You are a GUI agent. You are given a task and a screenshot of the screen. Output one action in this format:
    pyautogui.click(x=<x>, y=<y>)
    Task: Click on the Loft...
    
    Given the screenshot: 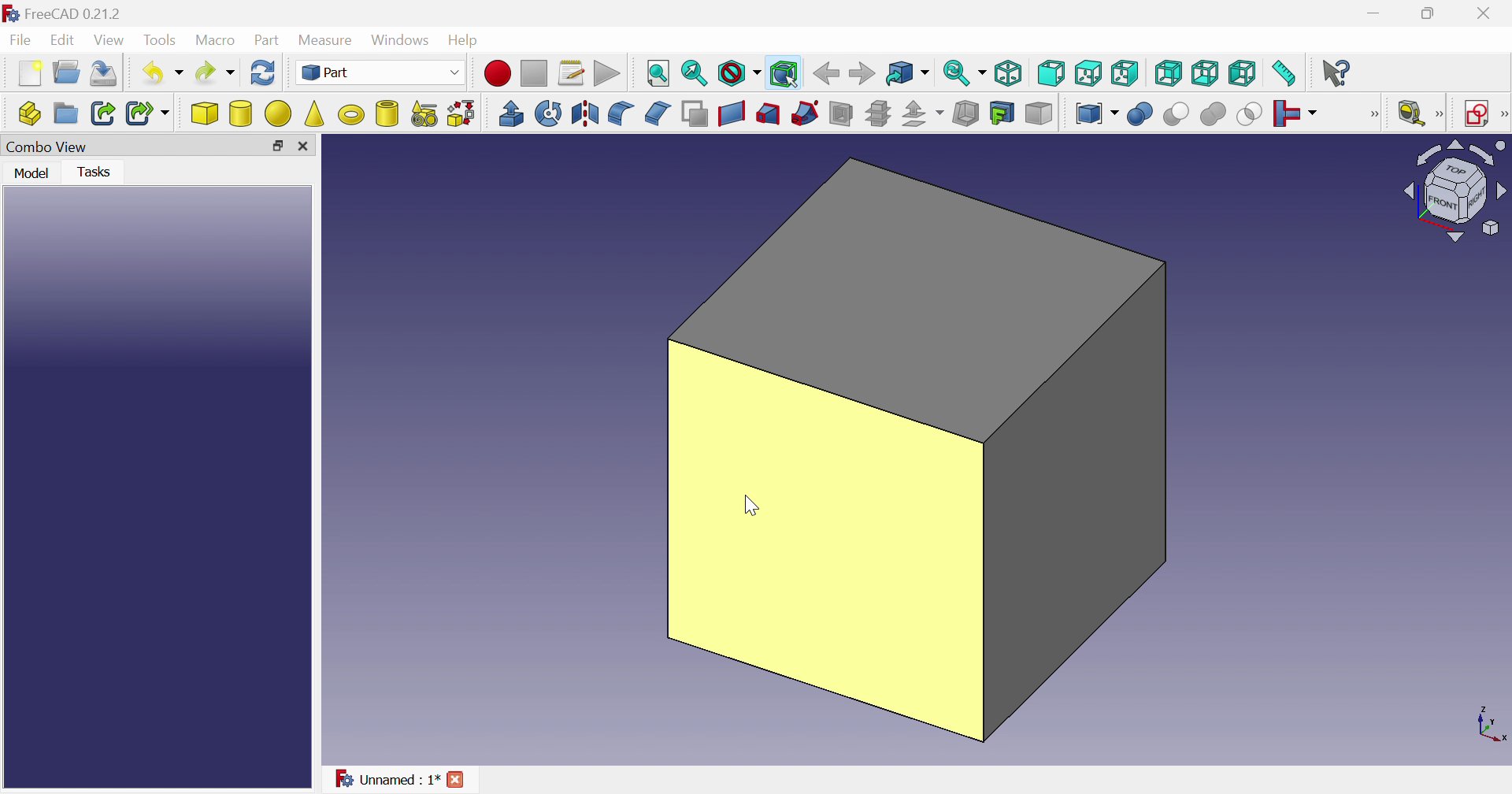 What is the action you would take?
    pyautogui.click(x=768, y=114)
    